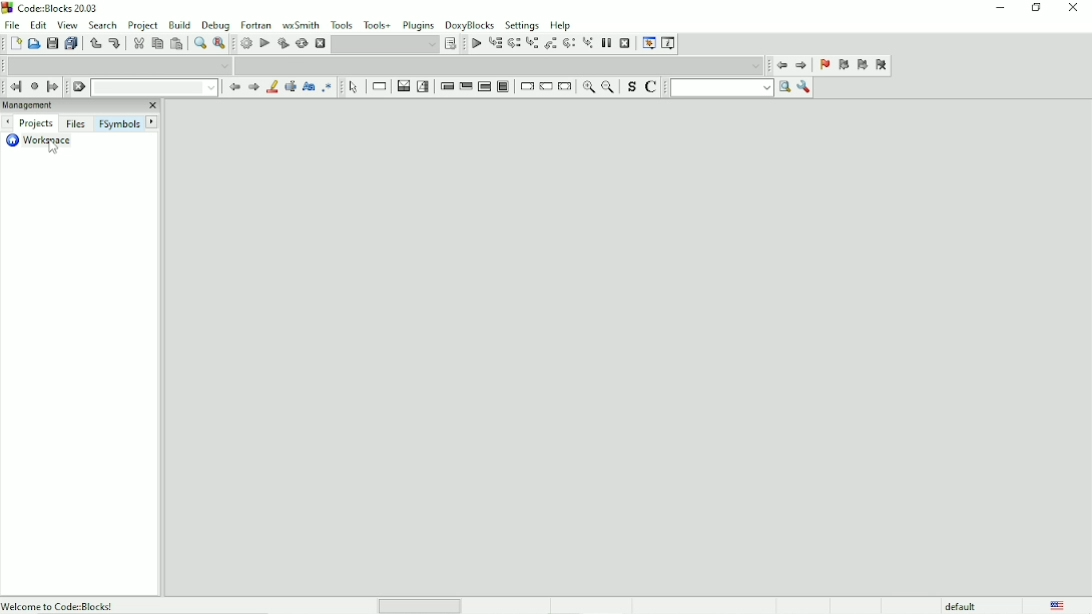 The image size is (1092, 614). What do you see at coordinates (256, 24) in the screenshot?
I see `Fortran` at bounding box center [256, 24].